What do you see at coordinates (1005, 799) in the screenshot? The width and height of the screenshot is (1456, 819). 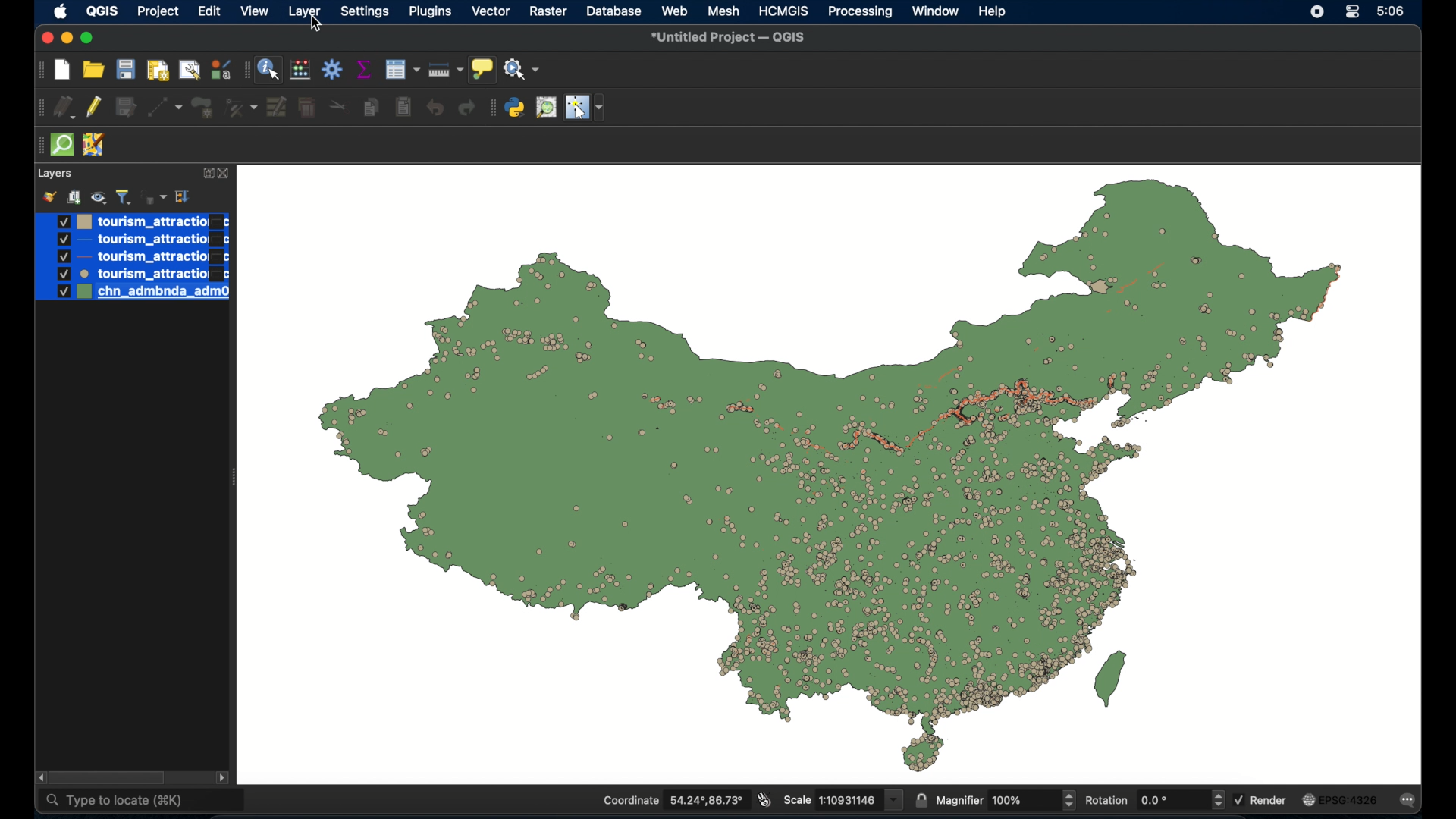 I see `magnifier` at bounding box center [1005, 799].